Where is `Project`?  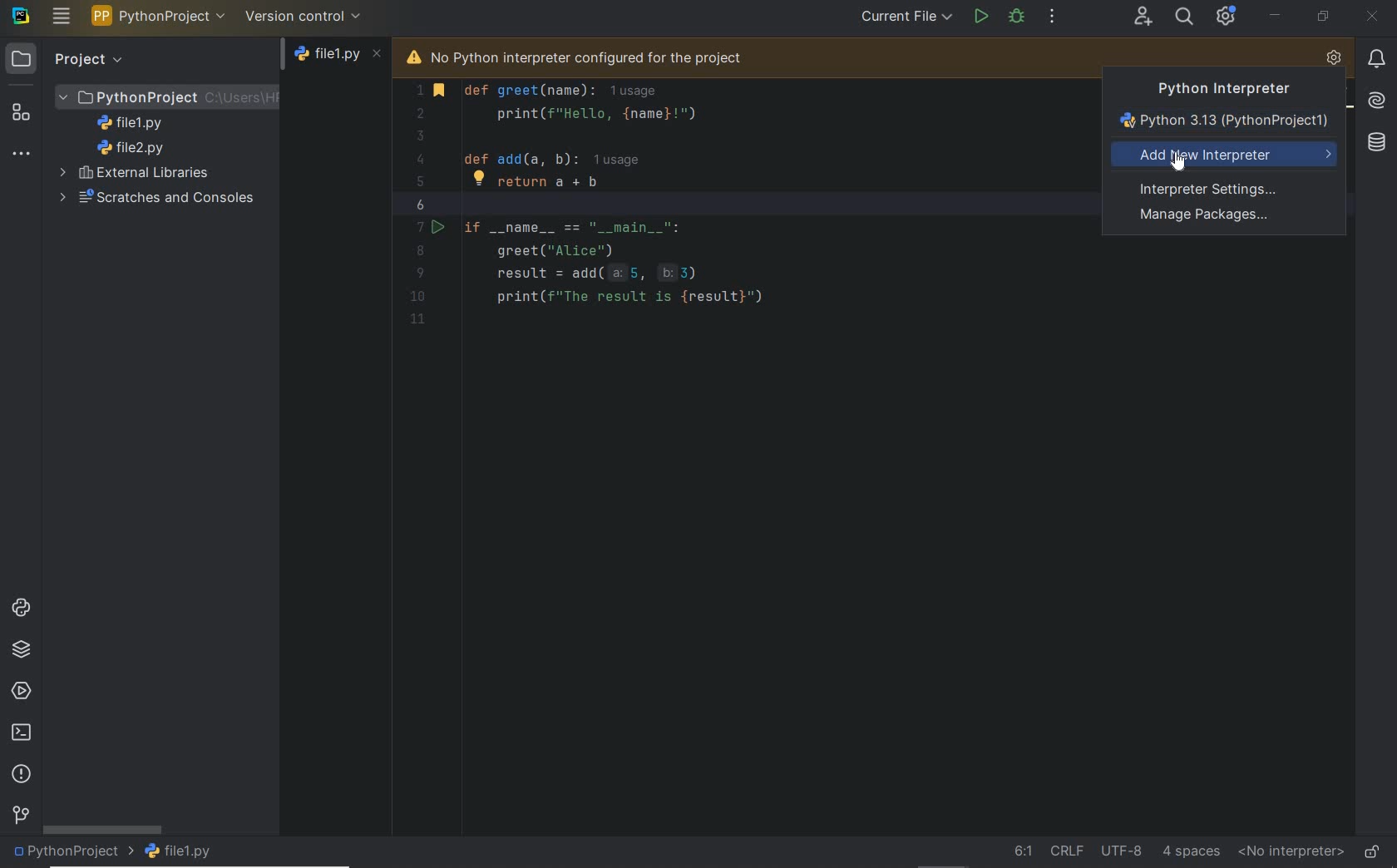
Project is located at coordinates (168, 96).